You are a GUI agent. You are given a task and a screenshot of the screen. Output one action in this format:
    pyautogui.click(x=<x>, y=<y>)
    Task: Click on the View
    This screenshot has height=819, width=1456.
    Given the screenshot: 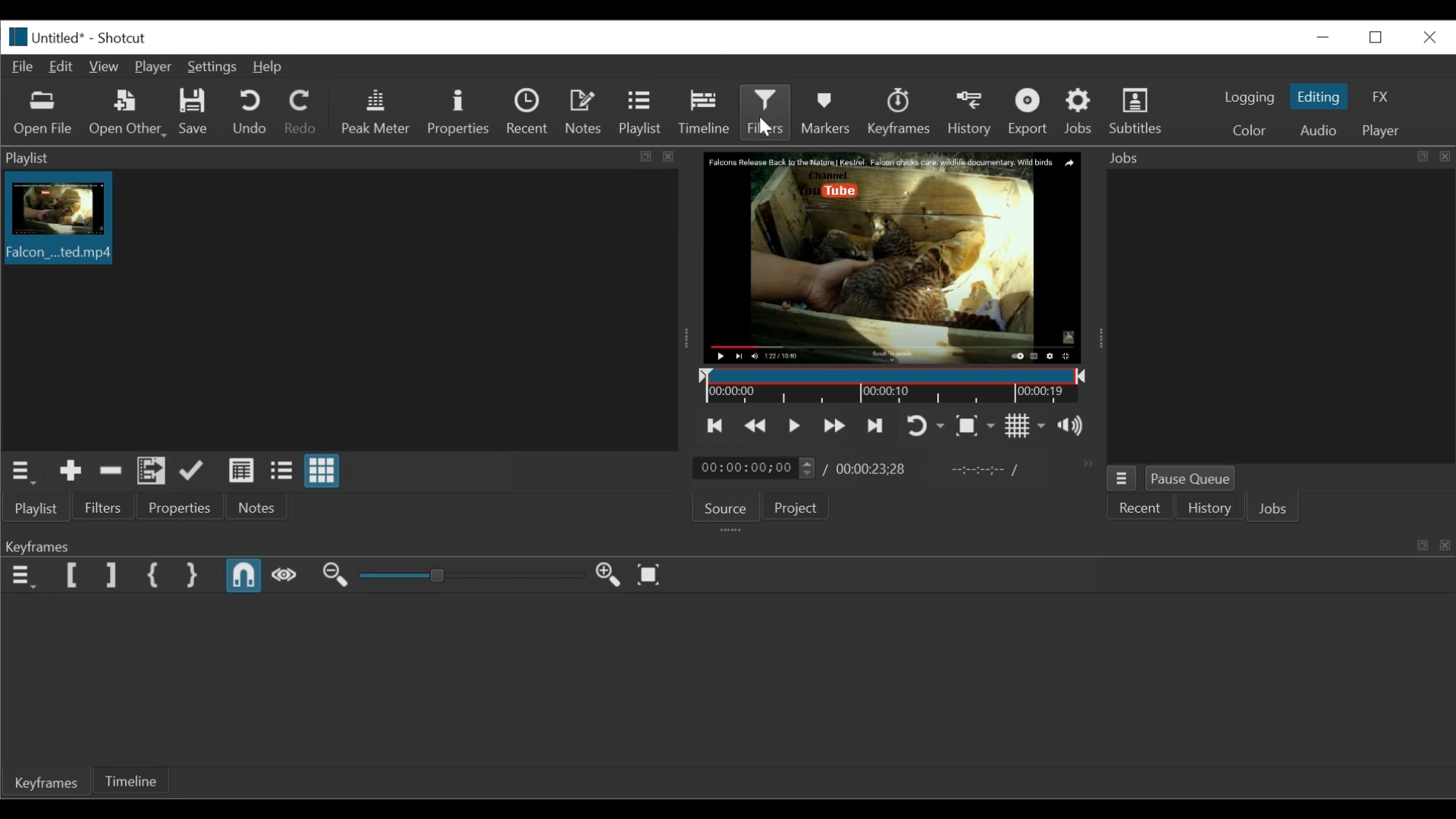 What is the action you would take?
    pyautogui.click(x=103, y=67)
    